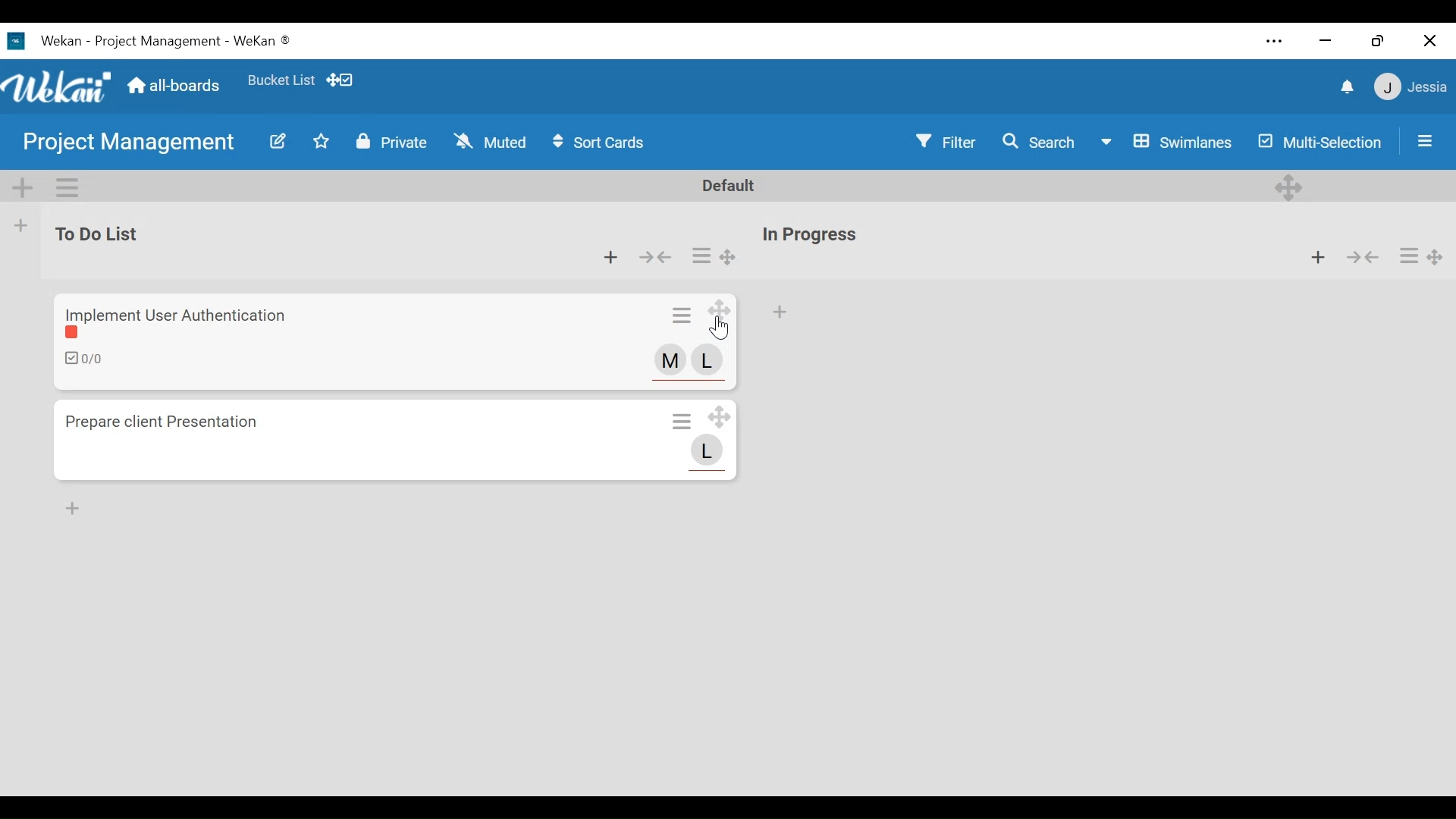 The image size is (1456, 819). What do you see at coordinates (1429, 42) in the screenshot?
I see `close` at bounding box center [1429, 42].